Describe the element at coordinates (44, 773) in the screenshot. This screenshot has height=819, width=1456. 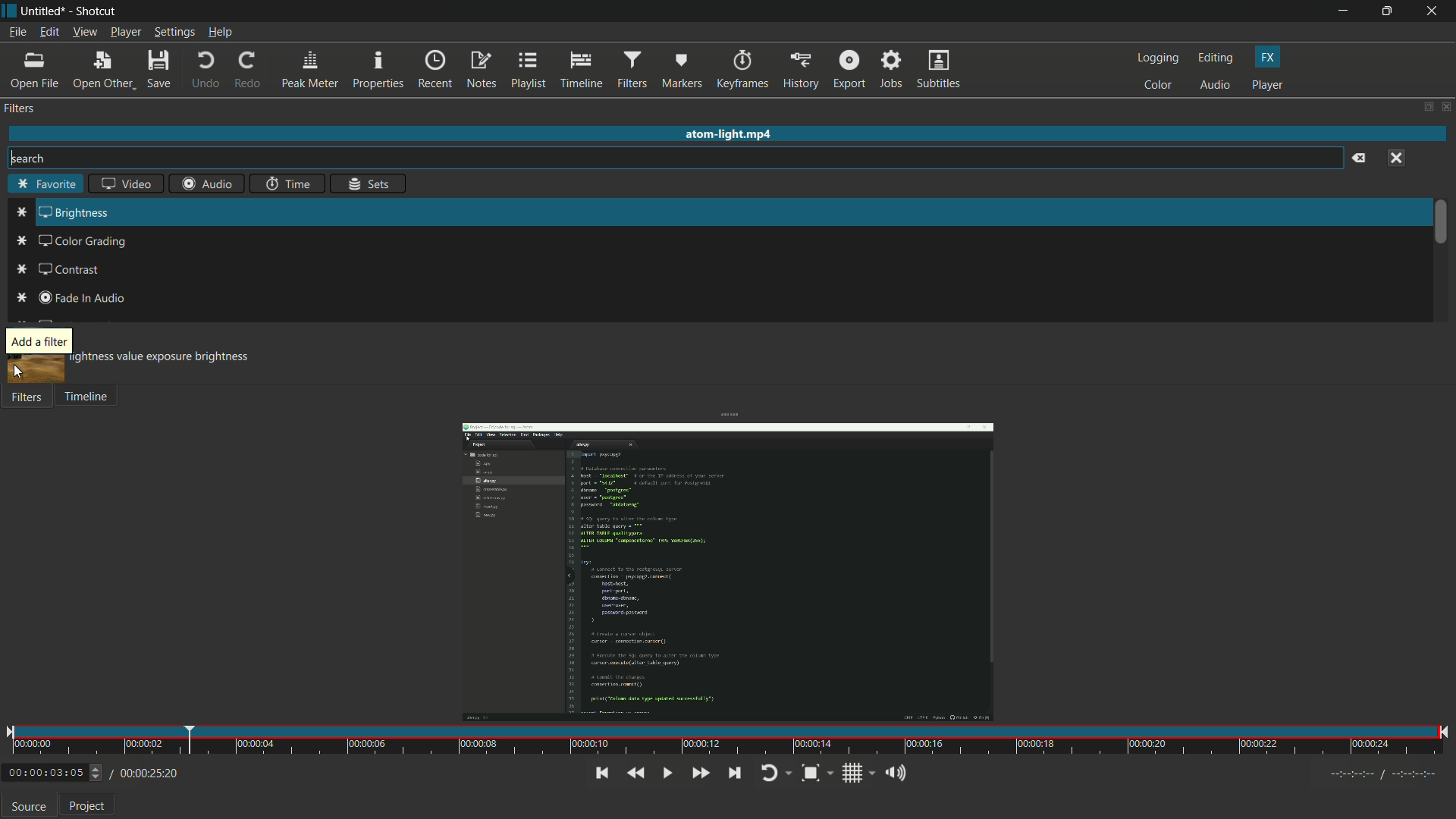
I see `current time` at that location.